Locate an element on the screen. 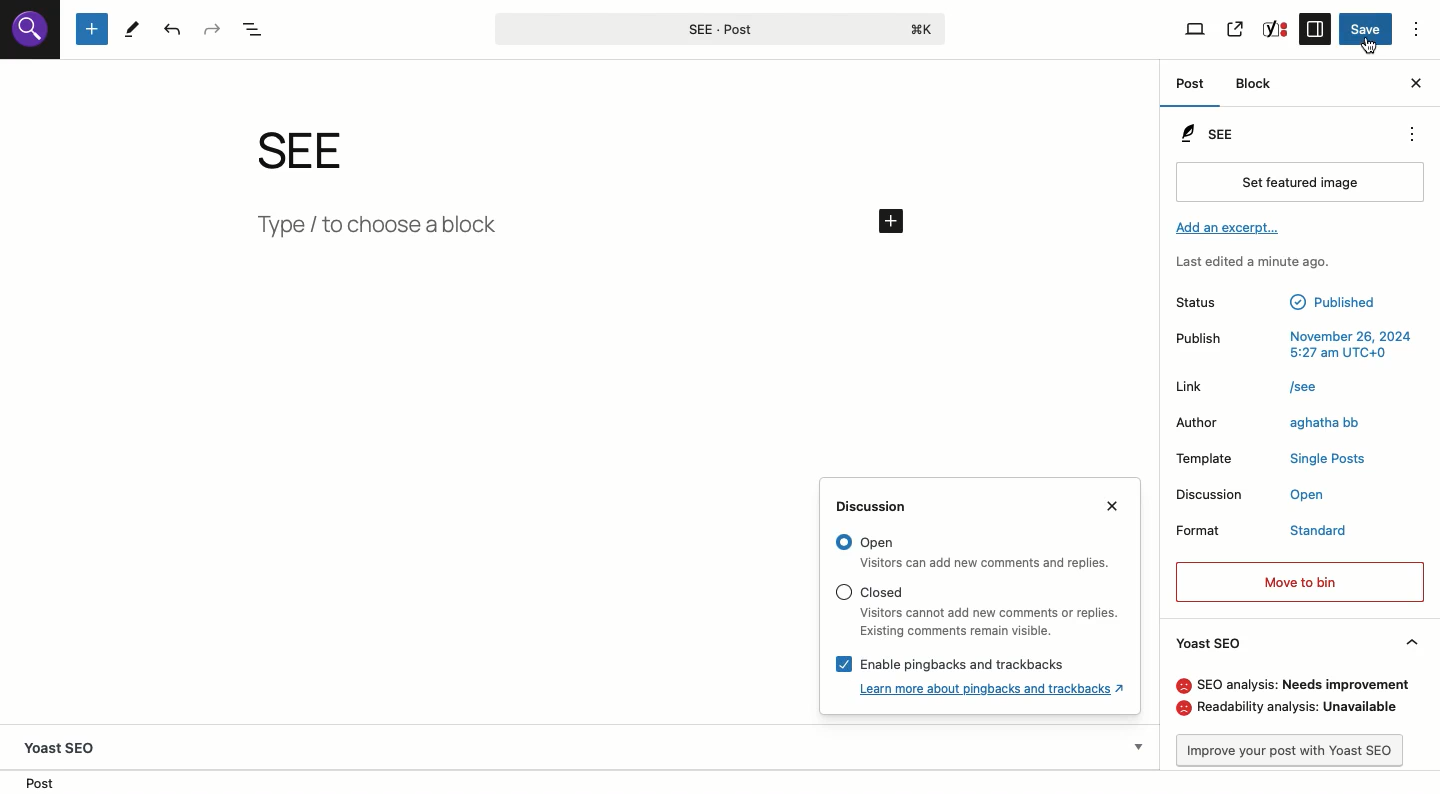  Redo is located at coordinates (212, 28).